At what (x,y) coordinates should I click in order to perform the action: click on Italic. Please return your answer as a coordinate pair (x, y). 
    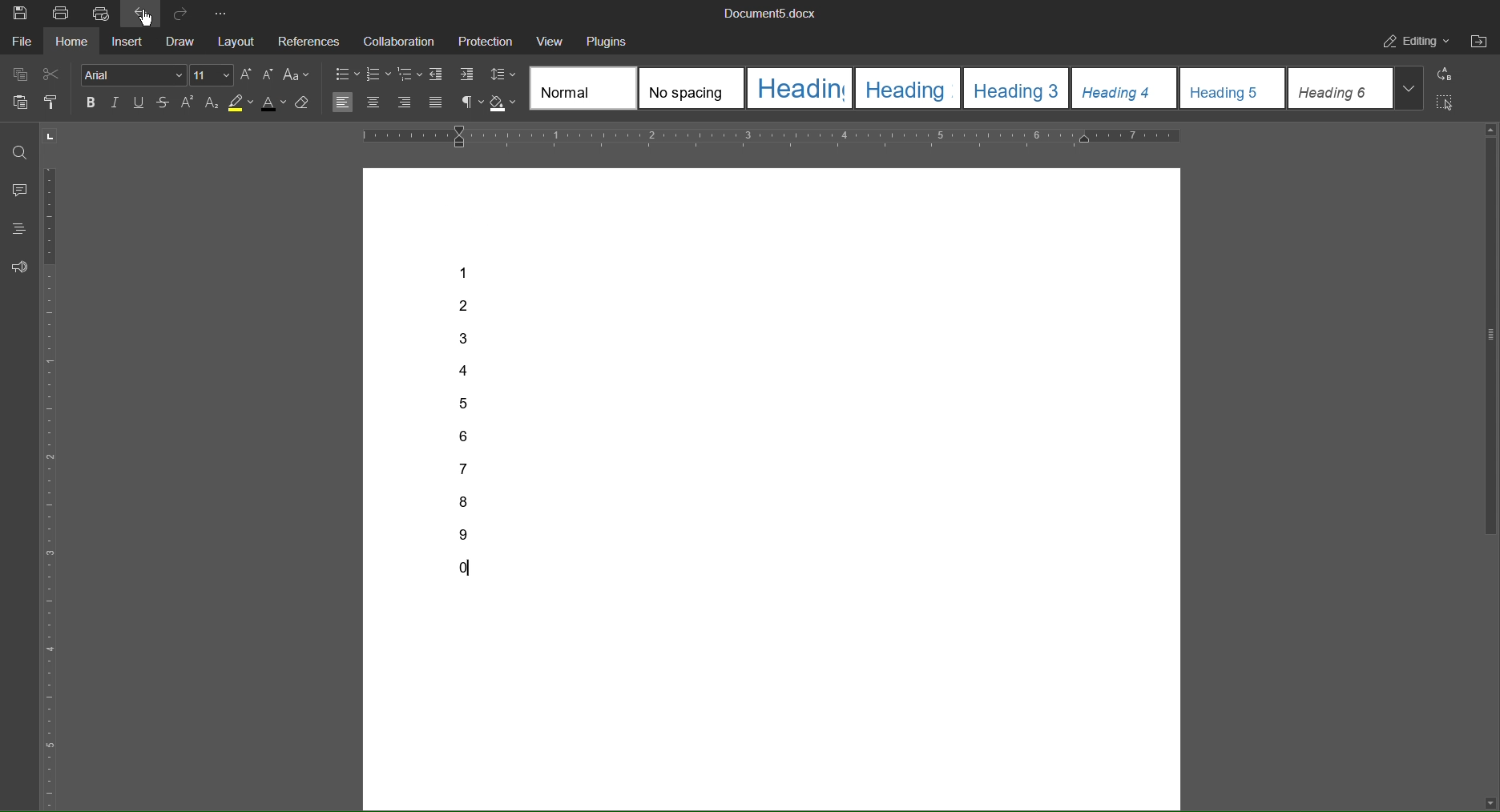
    Looking at the image, I should click on (117, 103).